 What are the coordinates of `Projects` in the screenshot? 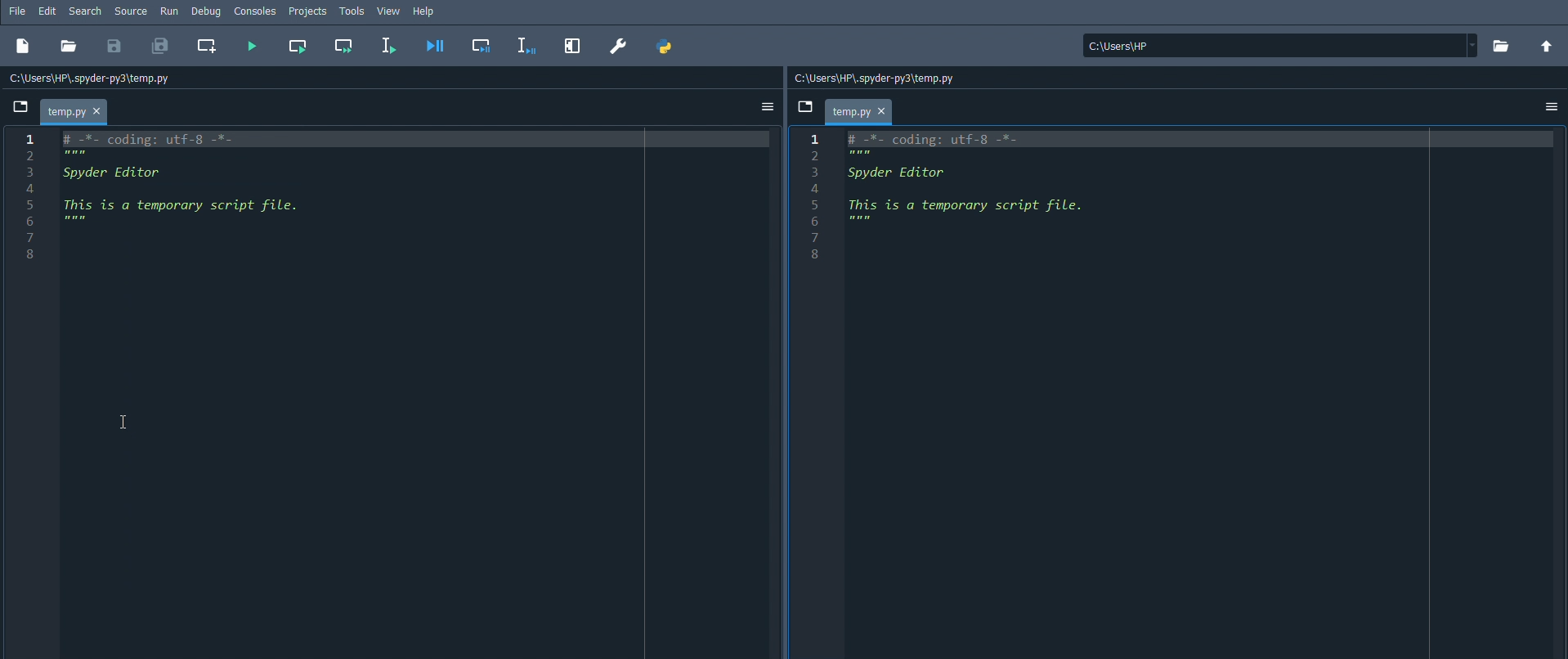 It's located at (307, 11).